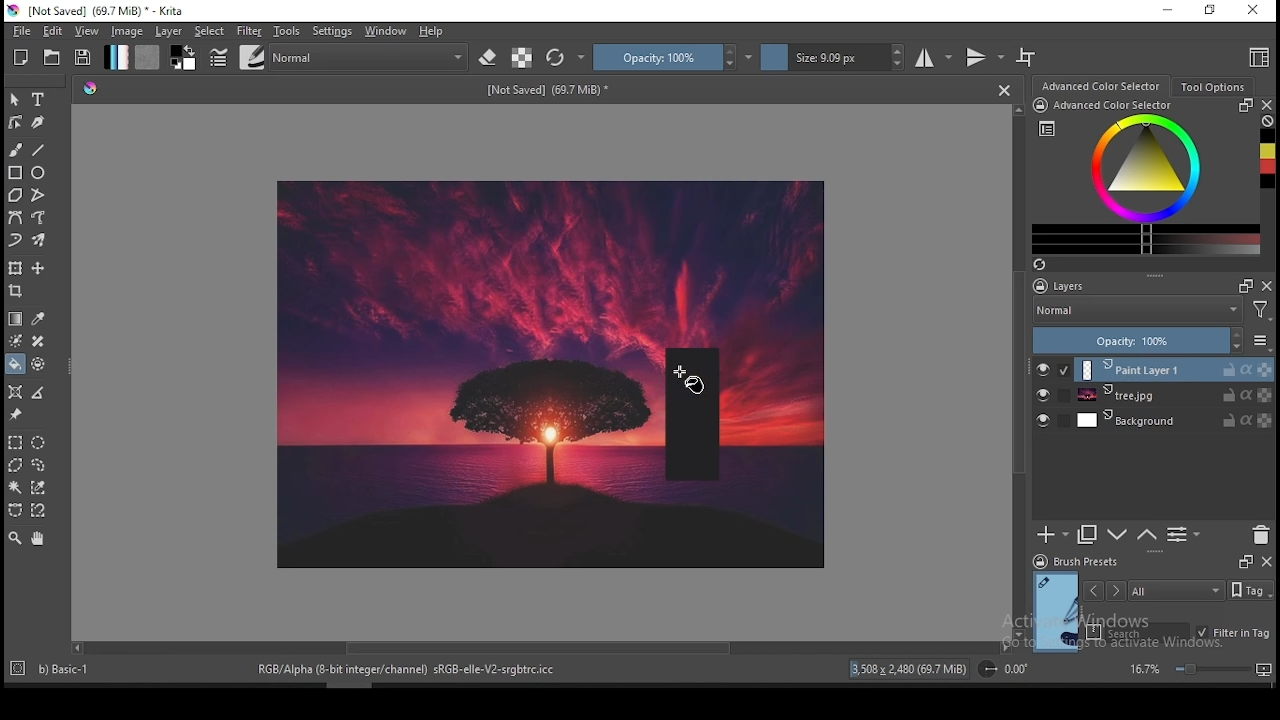 The image size is (1280, 720). I want to click on transform a layer or a selection, so click(16, 269).